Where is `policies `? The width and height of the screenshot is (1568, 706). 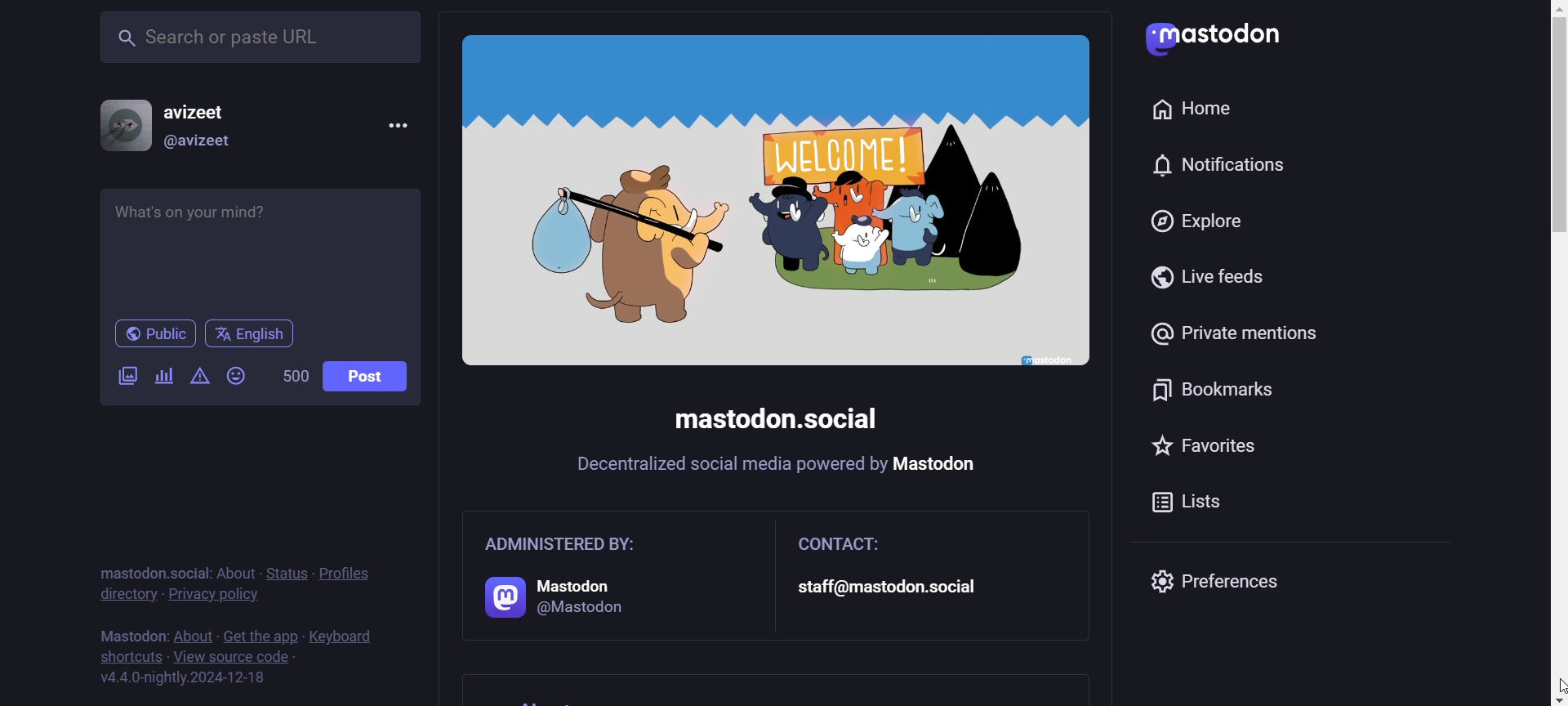
policies  is located at coordinates (354, 565).